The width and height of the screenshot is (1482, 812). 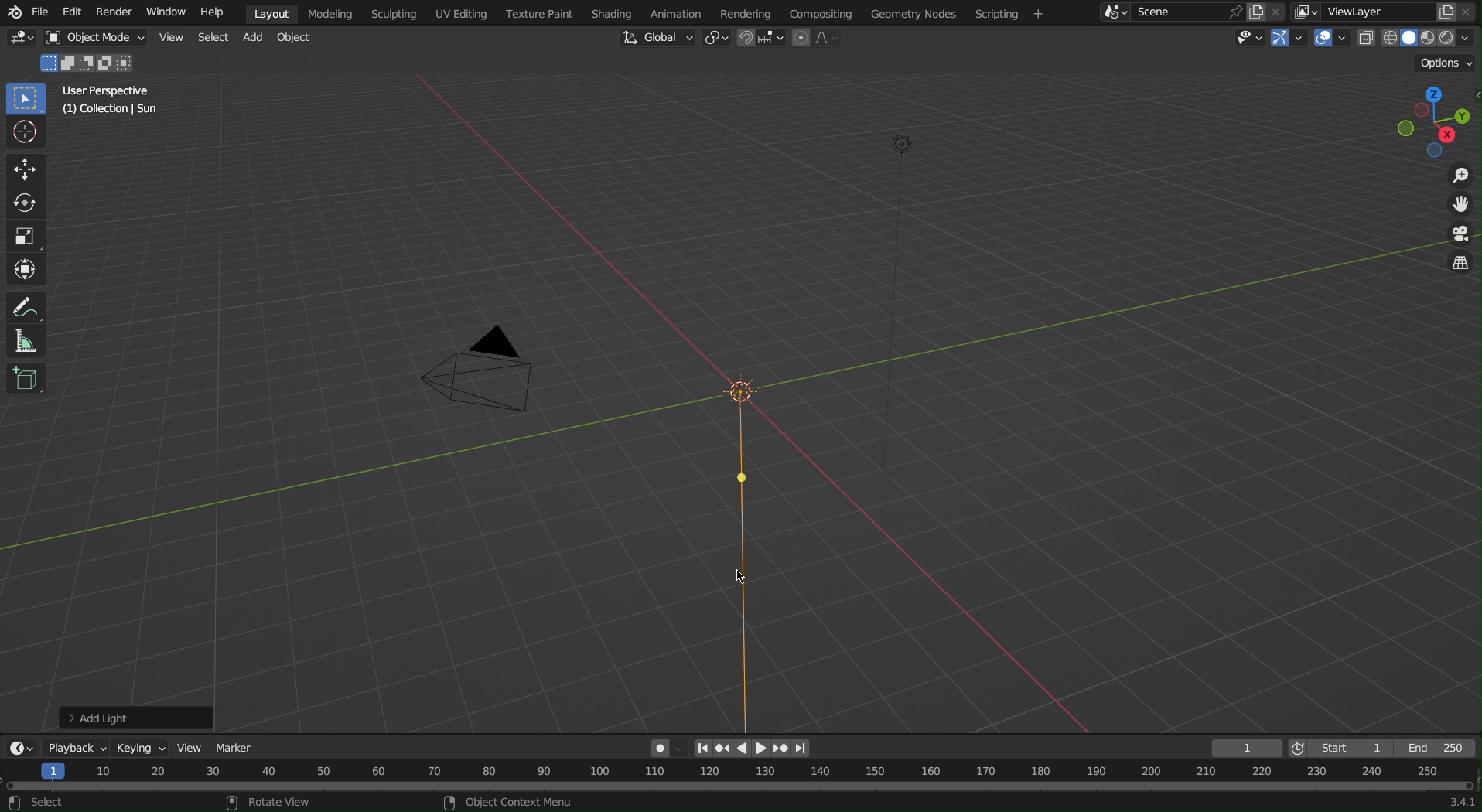 What do you see at coordinates (135, 718) in the screenshot?
I see `Add Light` at bounding box center [135, 718].